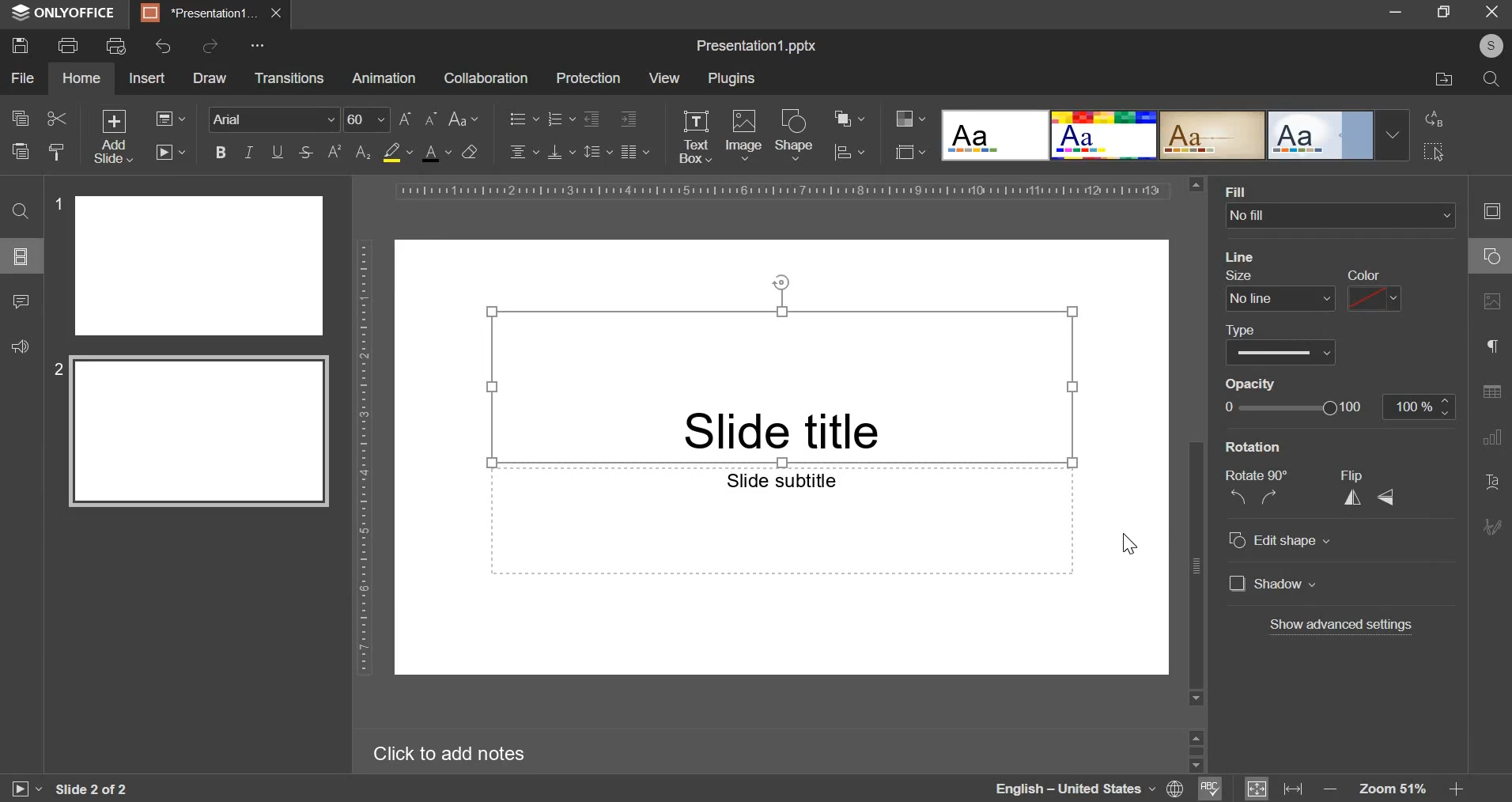 This screenshot has height=802, width=1512. Describe the element at coordinates (1496, 211) in the screenshot. I see `slide settings` at that location.